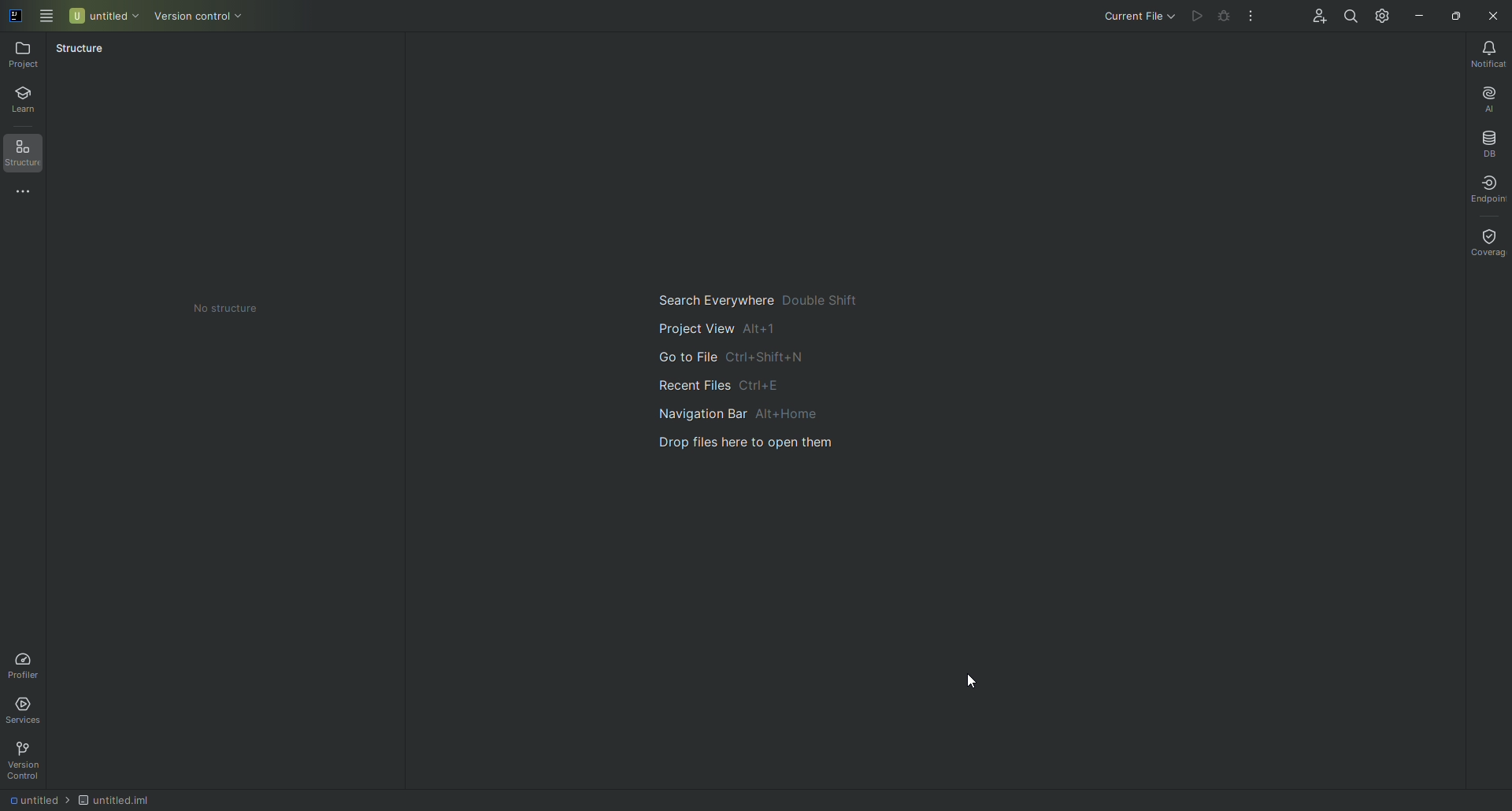  What do you see at coordinates (24, 157) in the screenshot?
I see `Structure` at bounding box center [24, 157].